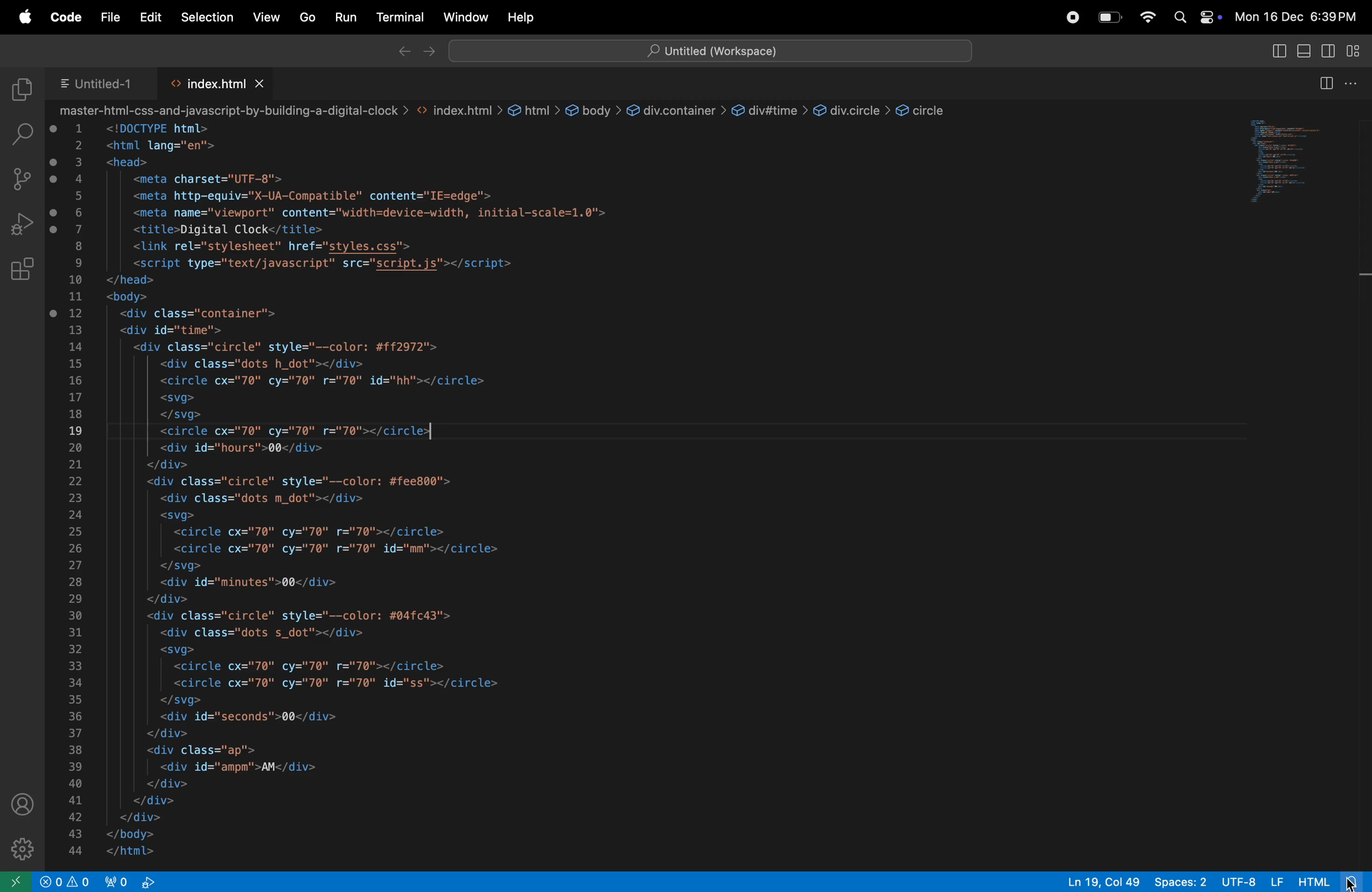  I want to click on profile, so click(28, 802).